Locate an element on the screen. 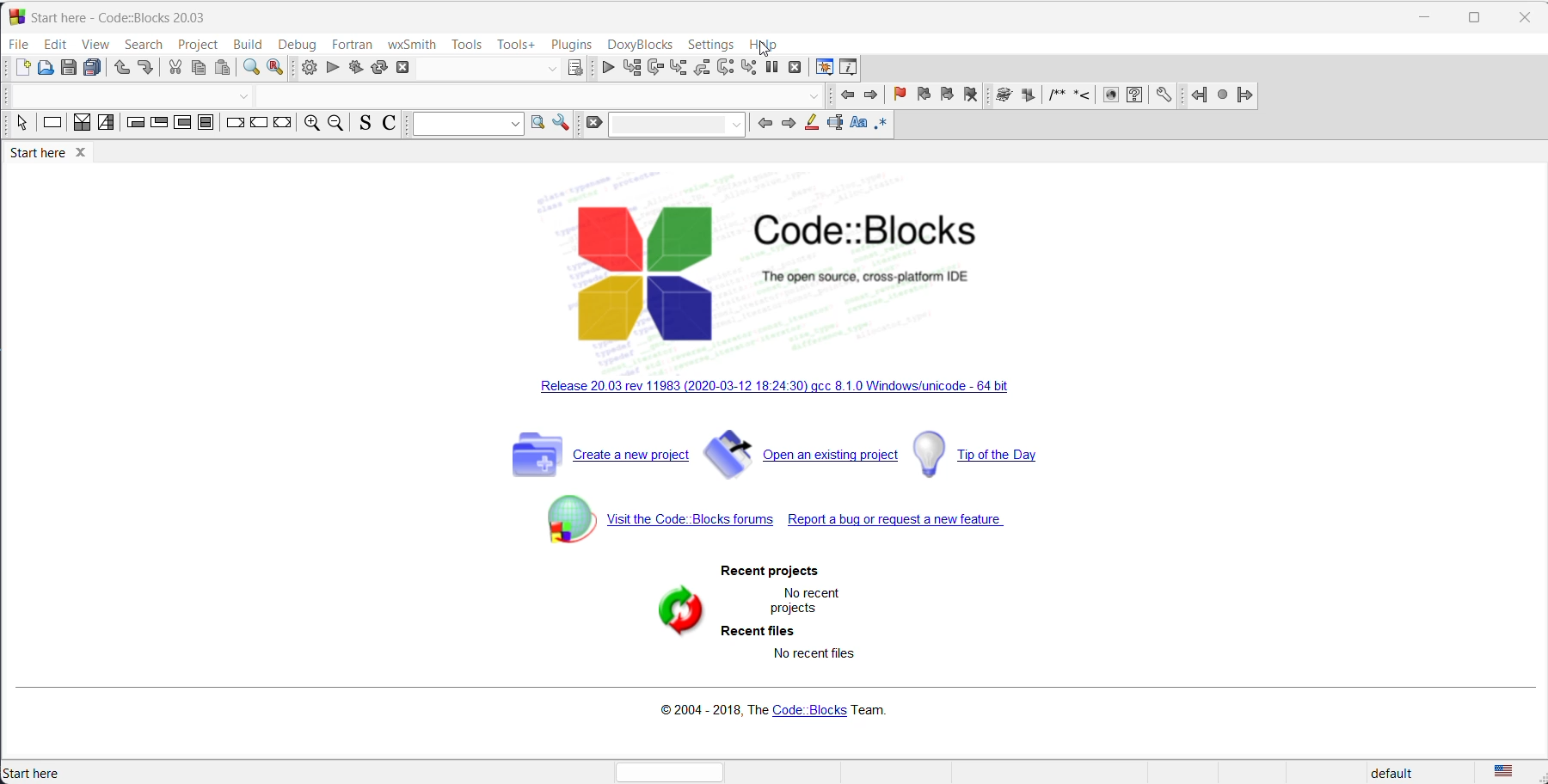 Image resolution: width=1548 pixels, height=784 pixels. insert line is located at coordinates (1085, 95).